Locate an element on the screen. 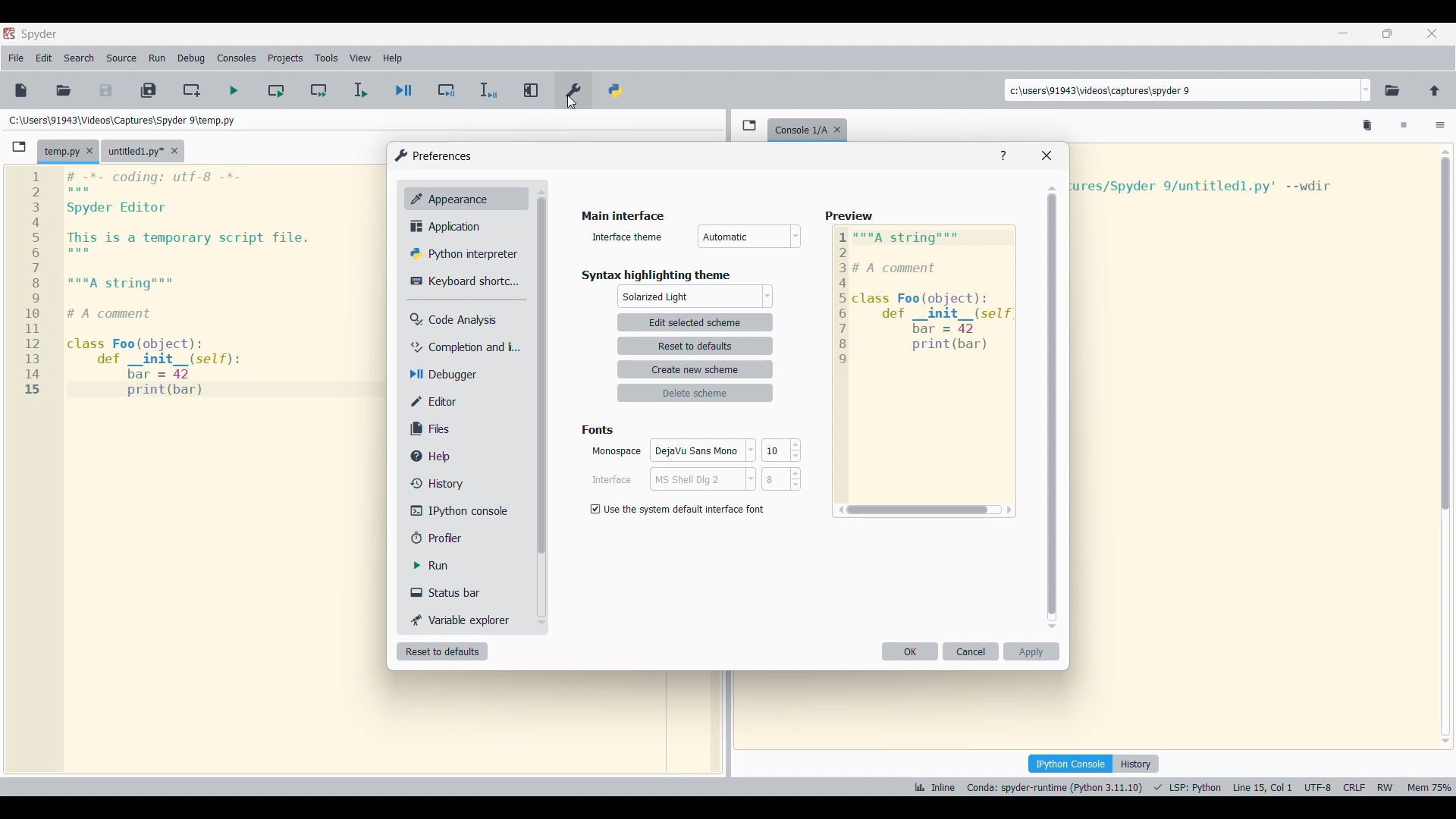 This screenshot has height=819, width=1456. Debugger is located at coordinates (466, 375).